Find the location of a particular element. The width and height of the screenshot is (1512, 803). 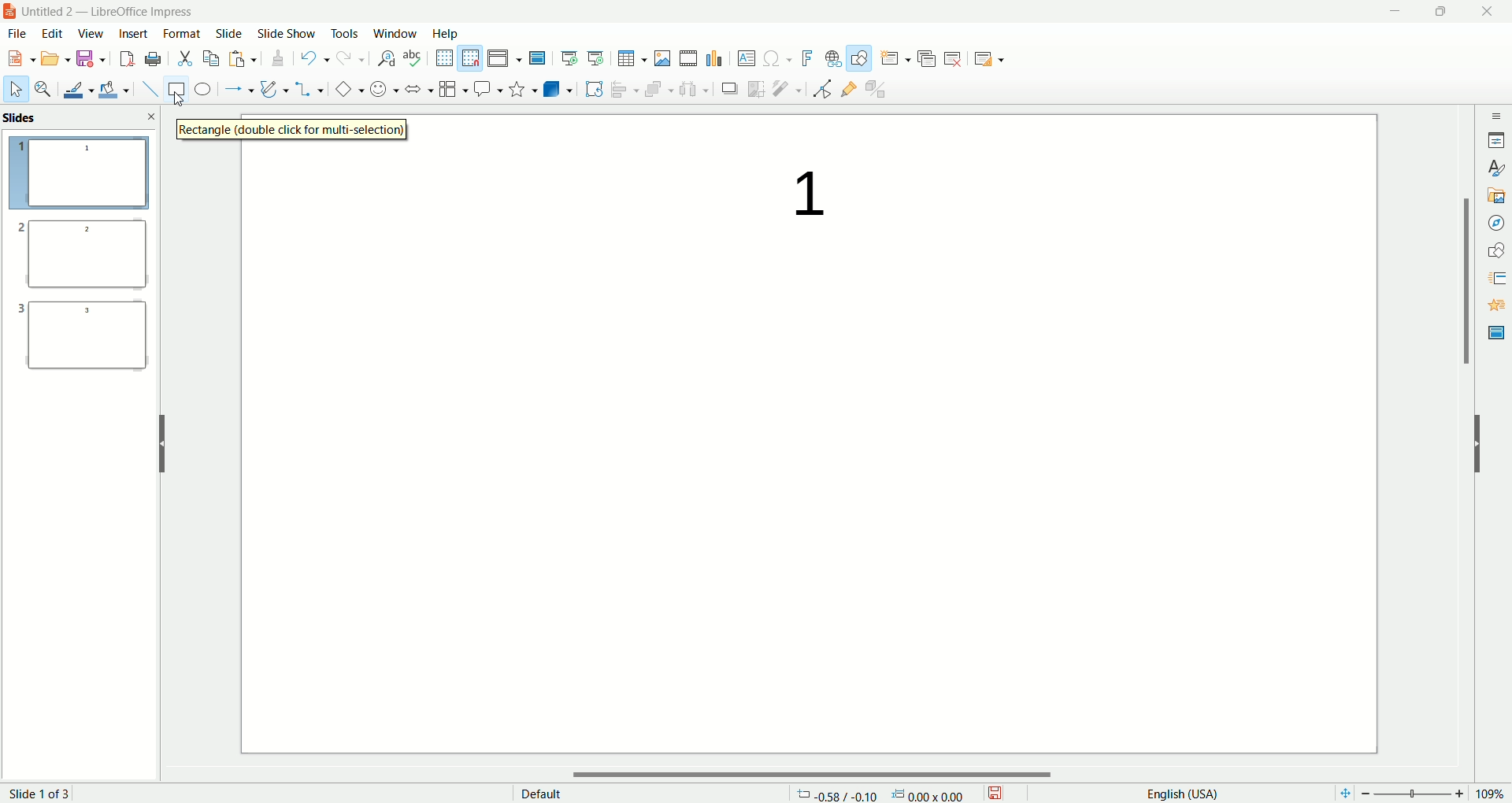

navigator is located at coordinates (1495, 223).